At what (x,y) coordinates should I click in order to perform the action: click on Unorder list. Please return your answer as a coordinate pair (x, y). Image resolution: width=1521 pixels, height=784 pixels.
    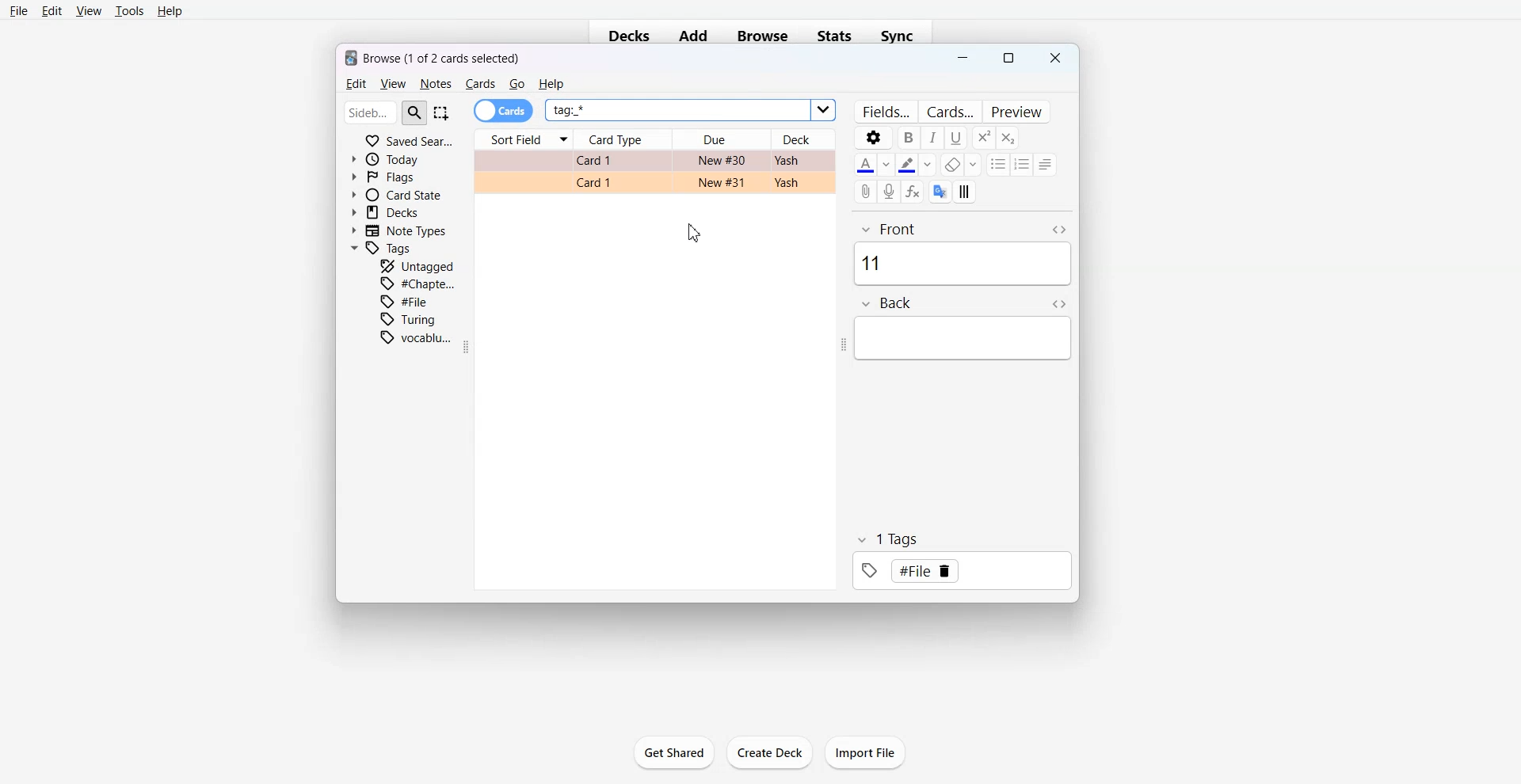
    Looking at the image, I should click on (998, 164).